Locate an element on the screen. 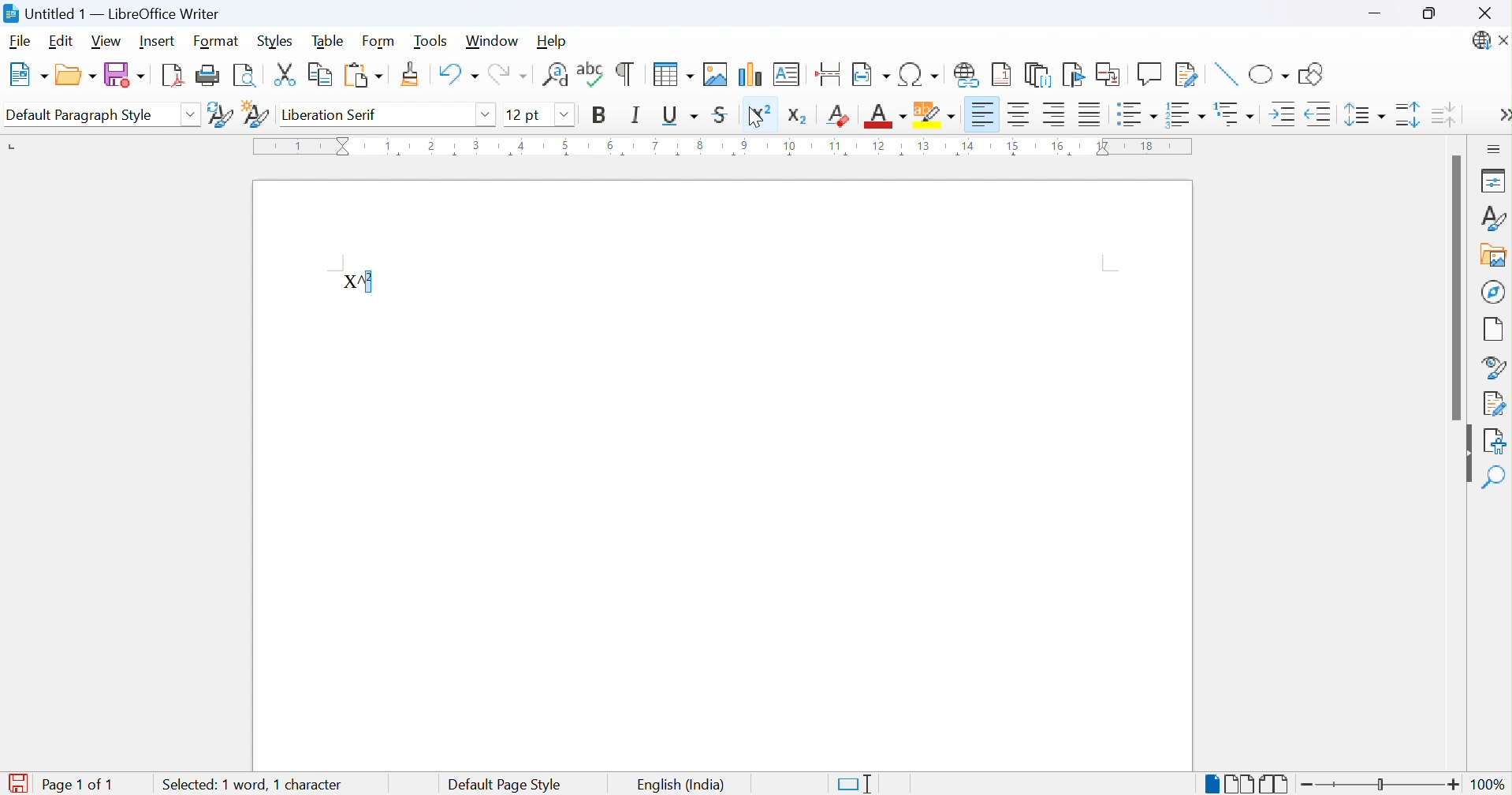 The image size is (1512, 795). New is located at coordinates (27, 75).